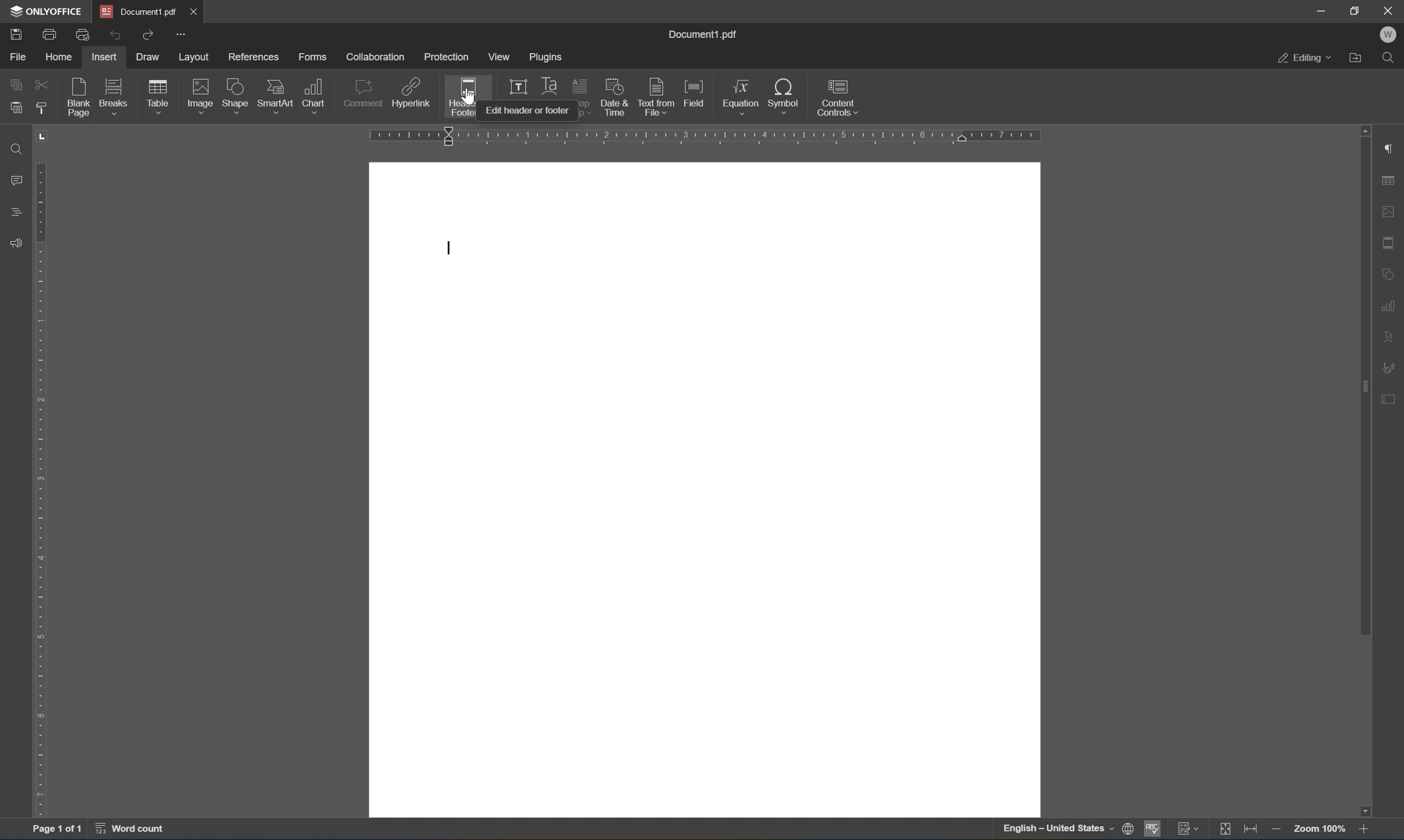  Describe the element at coordinates (203, 14) in the screenshot. I see `close` at that location.